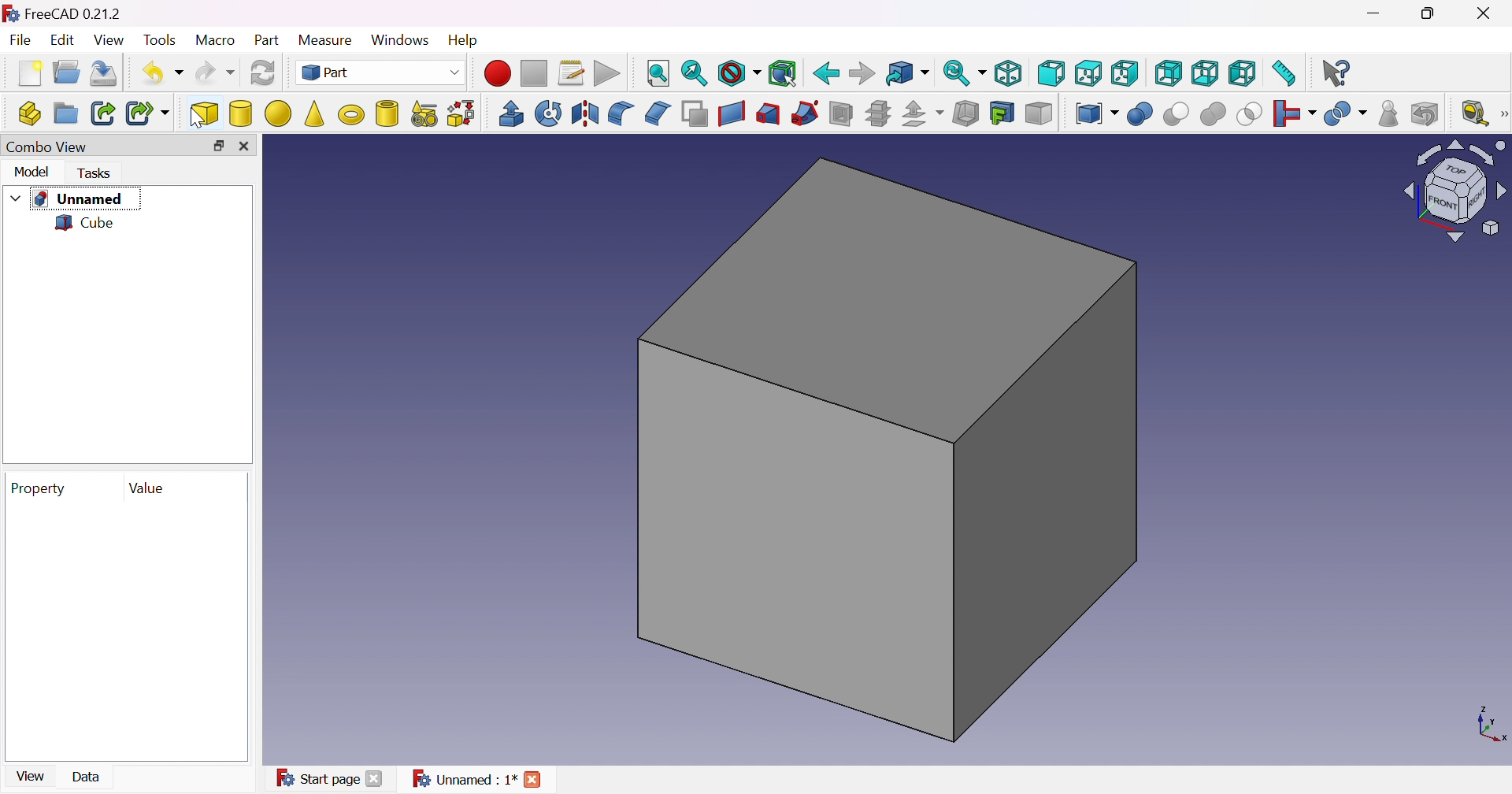 This screenshot has width=1512, height=794. I want to click on Create group, so click(64, 110).